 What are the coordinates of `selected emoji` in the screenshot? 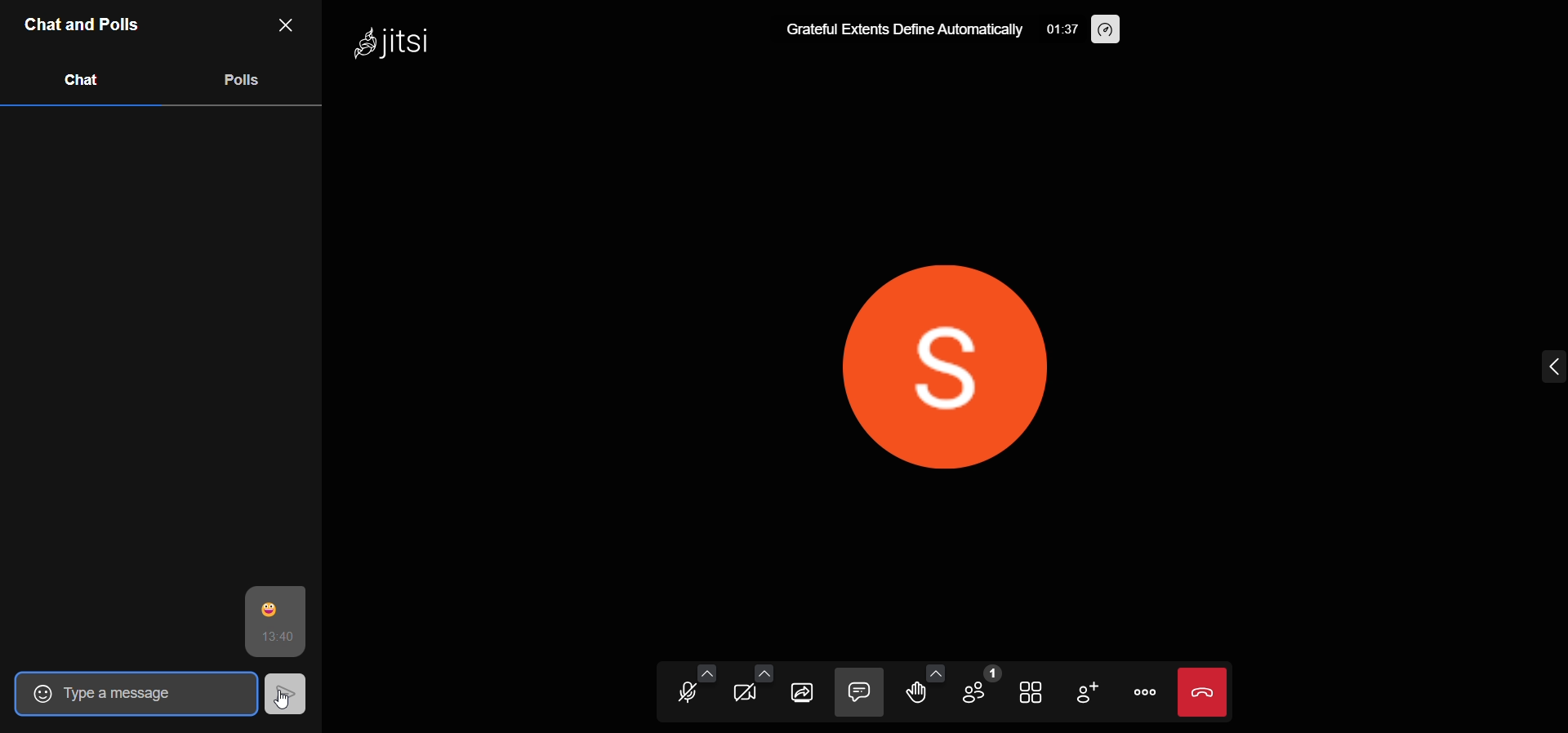 It's located at (150, 695).